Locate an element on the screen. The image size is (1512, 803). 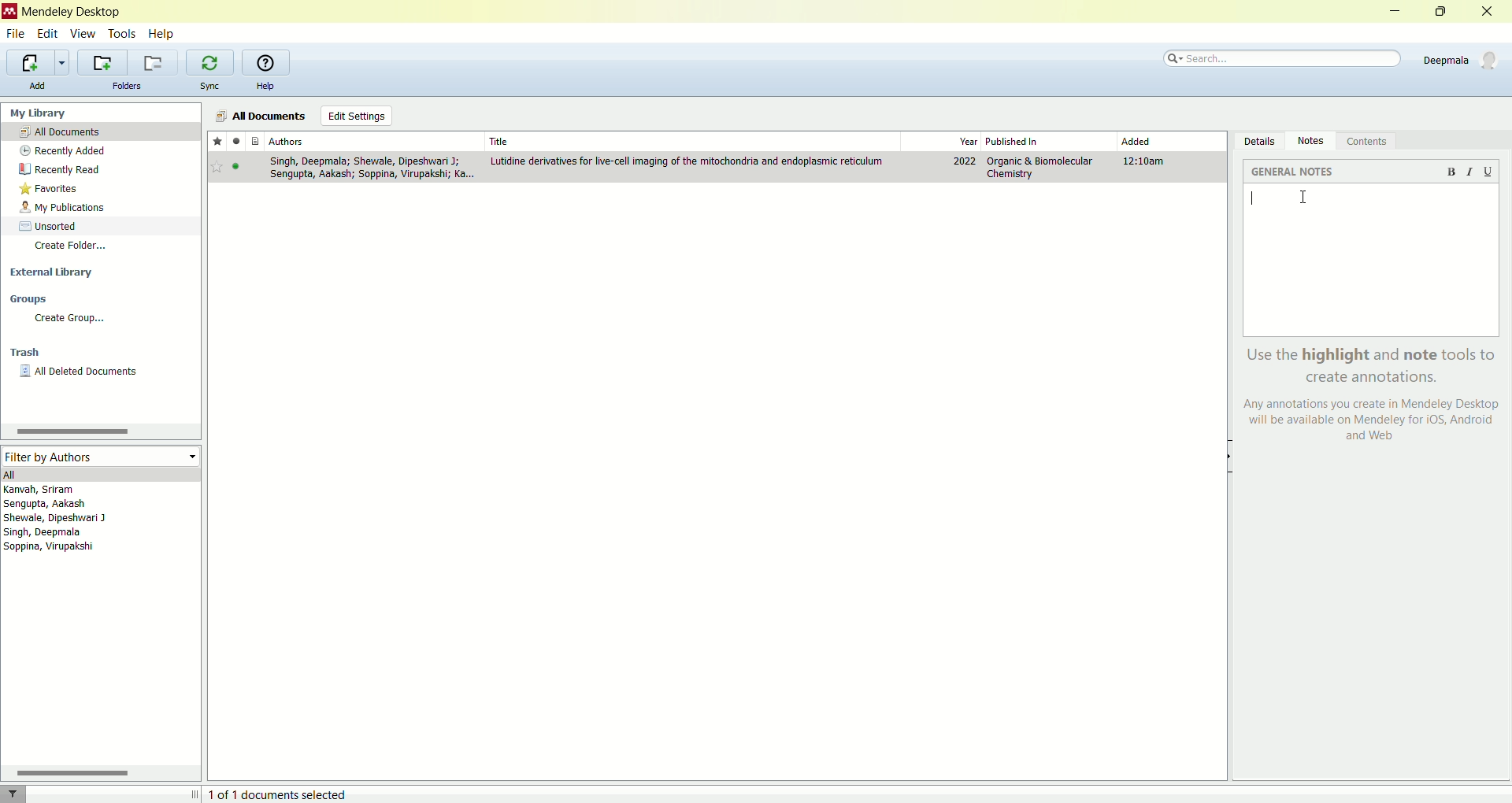
My Library is located at coordinates (102, 112).